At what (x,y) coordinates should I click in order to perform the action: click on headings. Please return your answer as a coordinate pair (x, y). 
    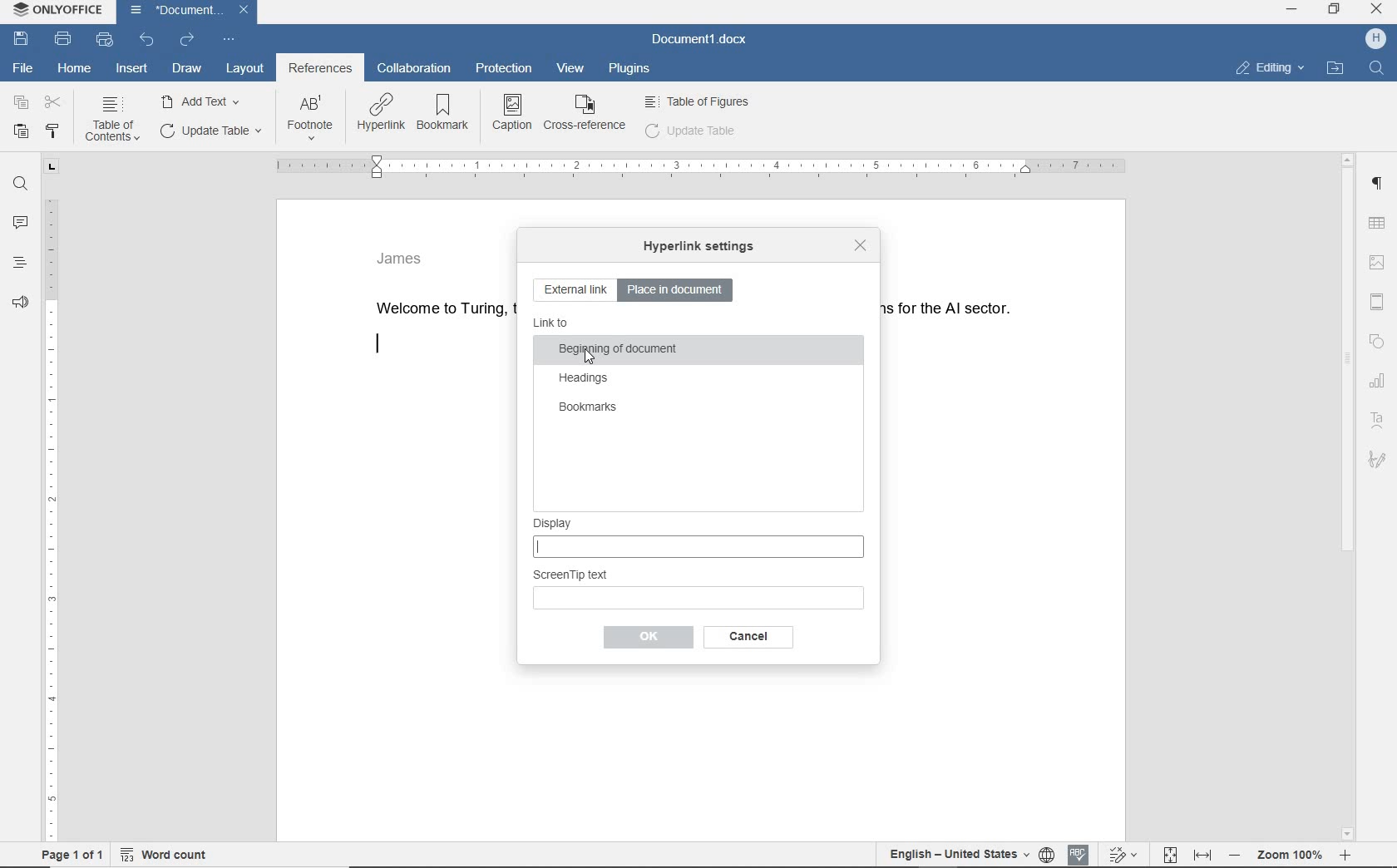
    Looking at the image, I should click on (19, 267).